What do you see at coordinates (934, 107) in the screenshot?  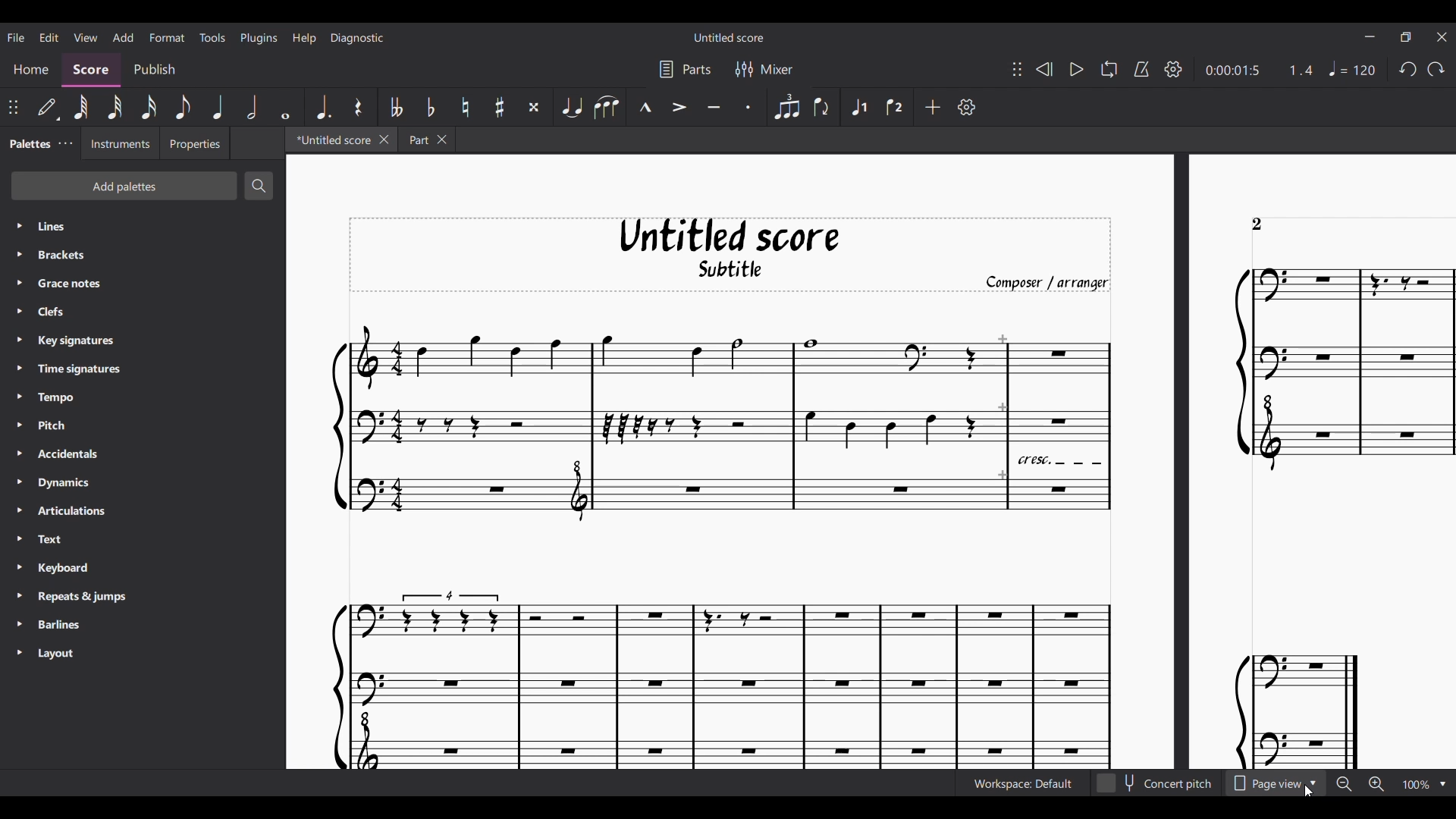 I see `Add` at bounding box center [934, 107].